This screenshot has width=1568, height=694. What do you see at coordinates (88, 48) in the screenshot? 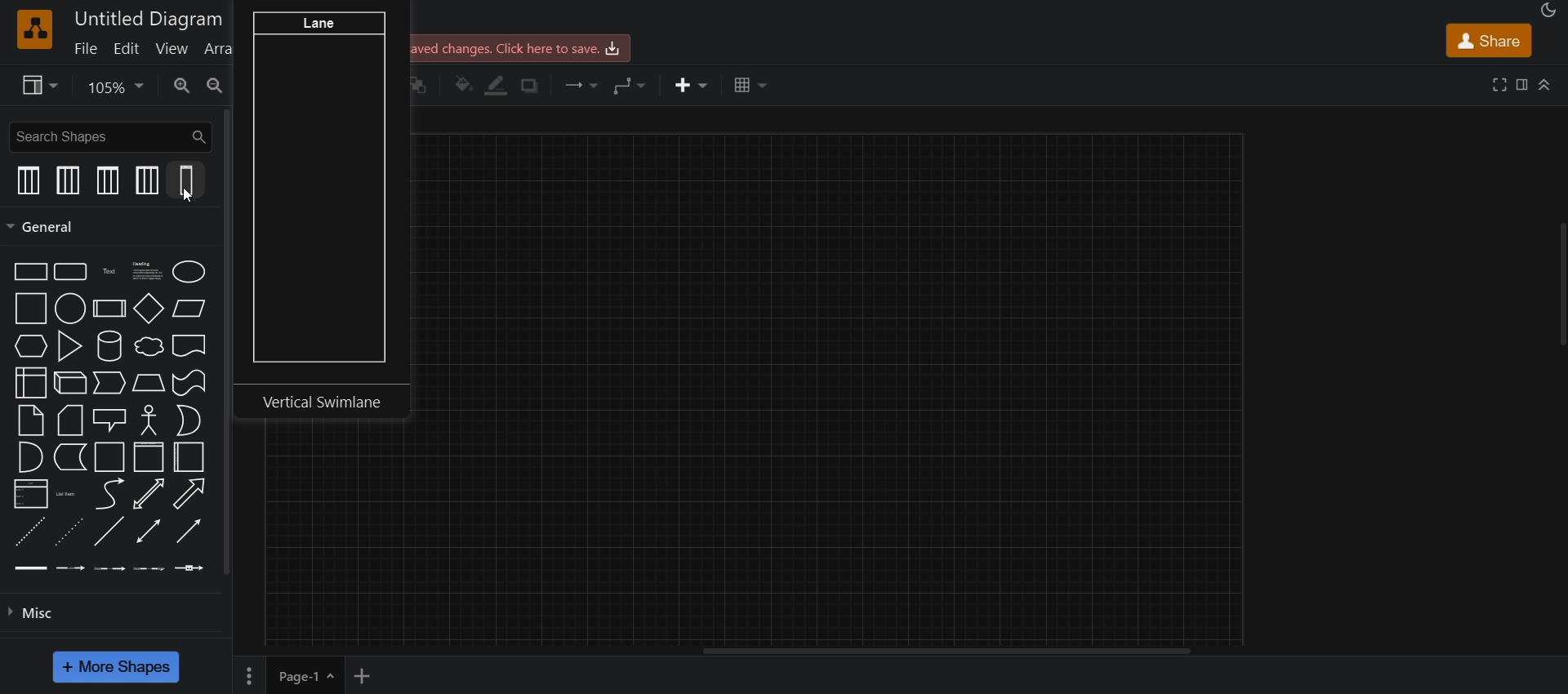
I see `file` at bounding box center [88, 48].